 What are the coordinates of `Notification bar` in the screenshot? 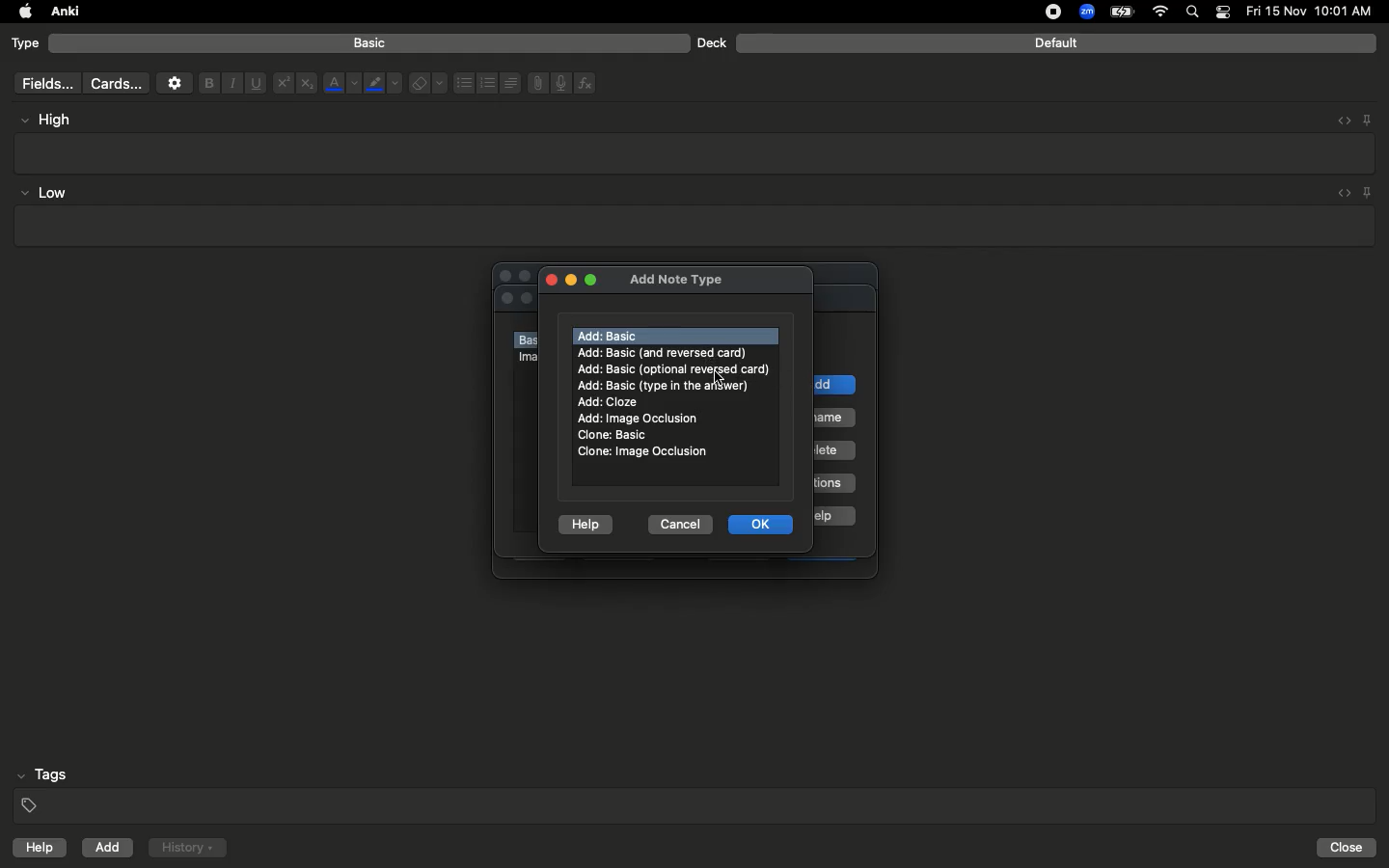 It's located at (1223, 13).